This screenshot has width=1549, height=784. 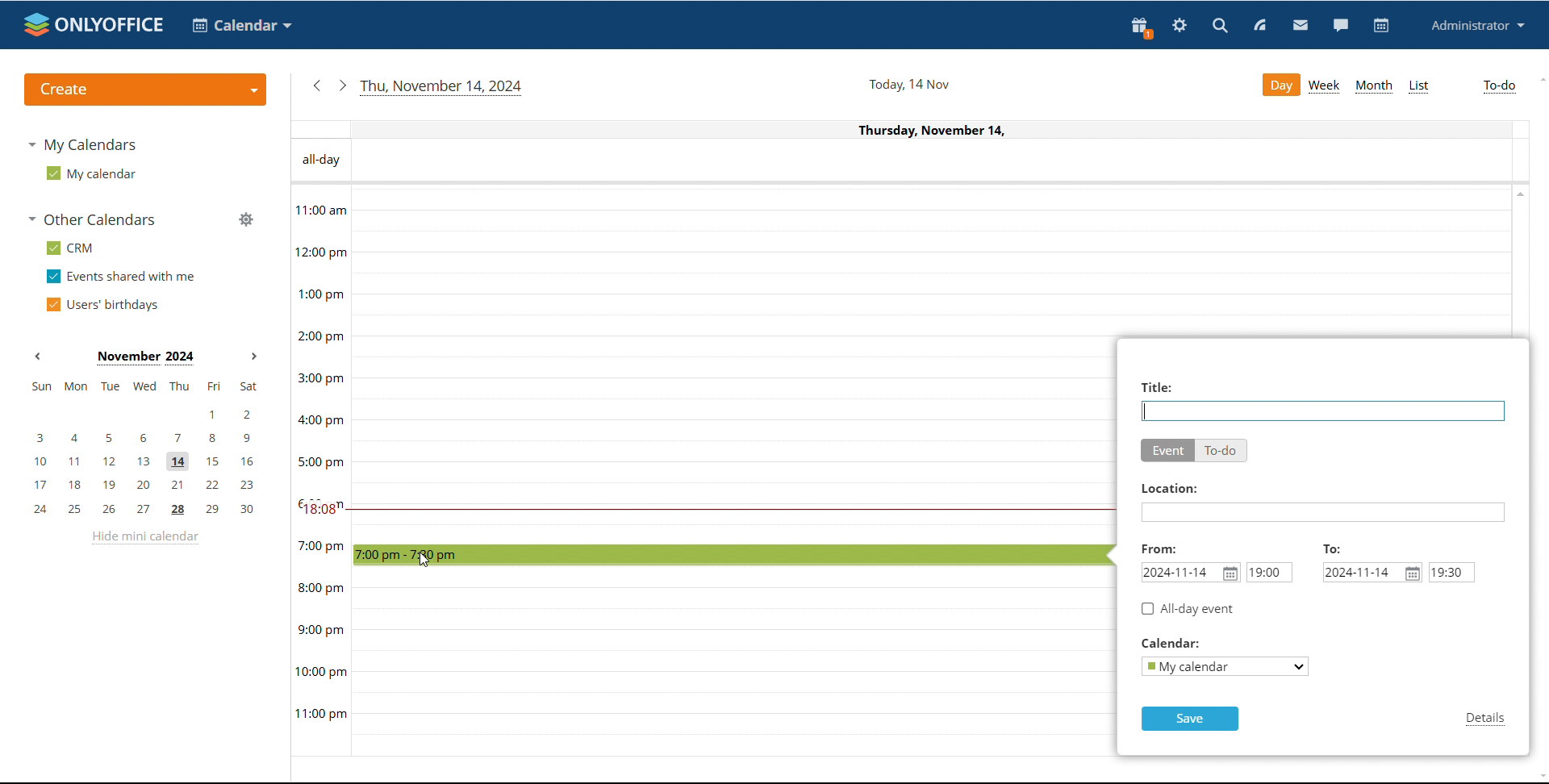 What do you see at coordinates (1167, 450) in the screenshot?
I see `event ` at bounding box center [1167, 450].